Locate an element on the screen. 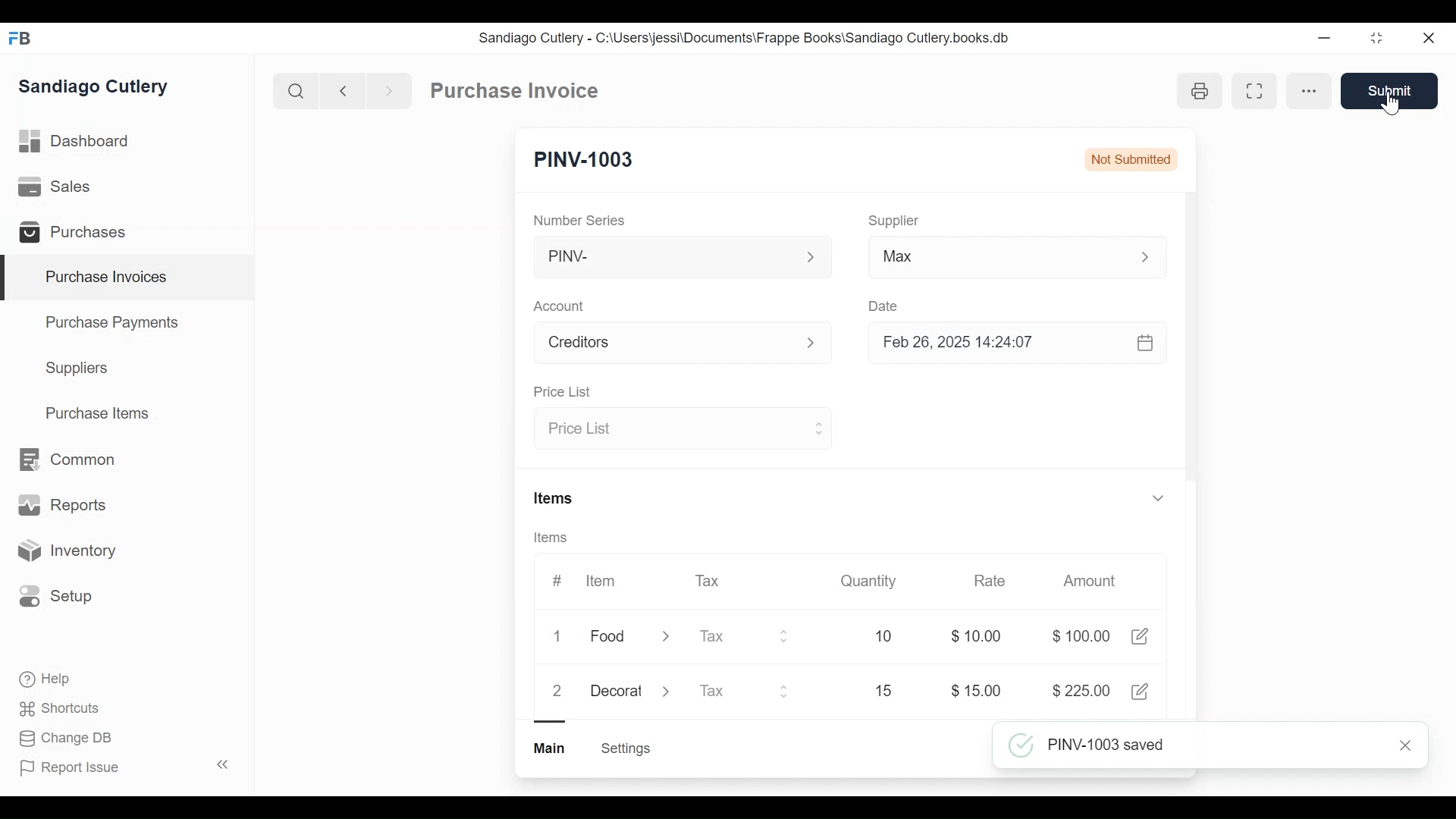  $100.00 is located at coordinates (1081, 636).